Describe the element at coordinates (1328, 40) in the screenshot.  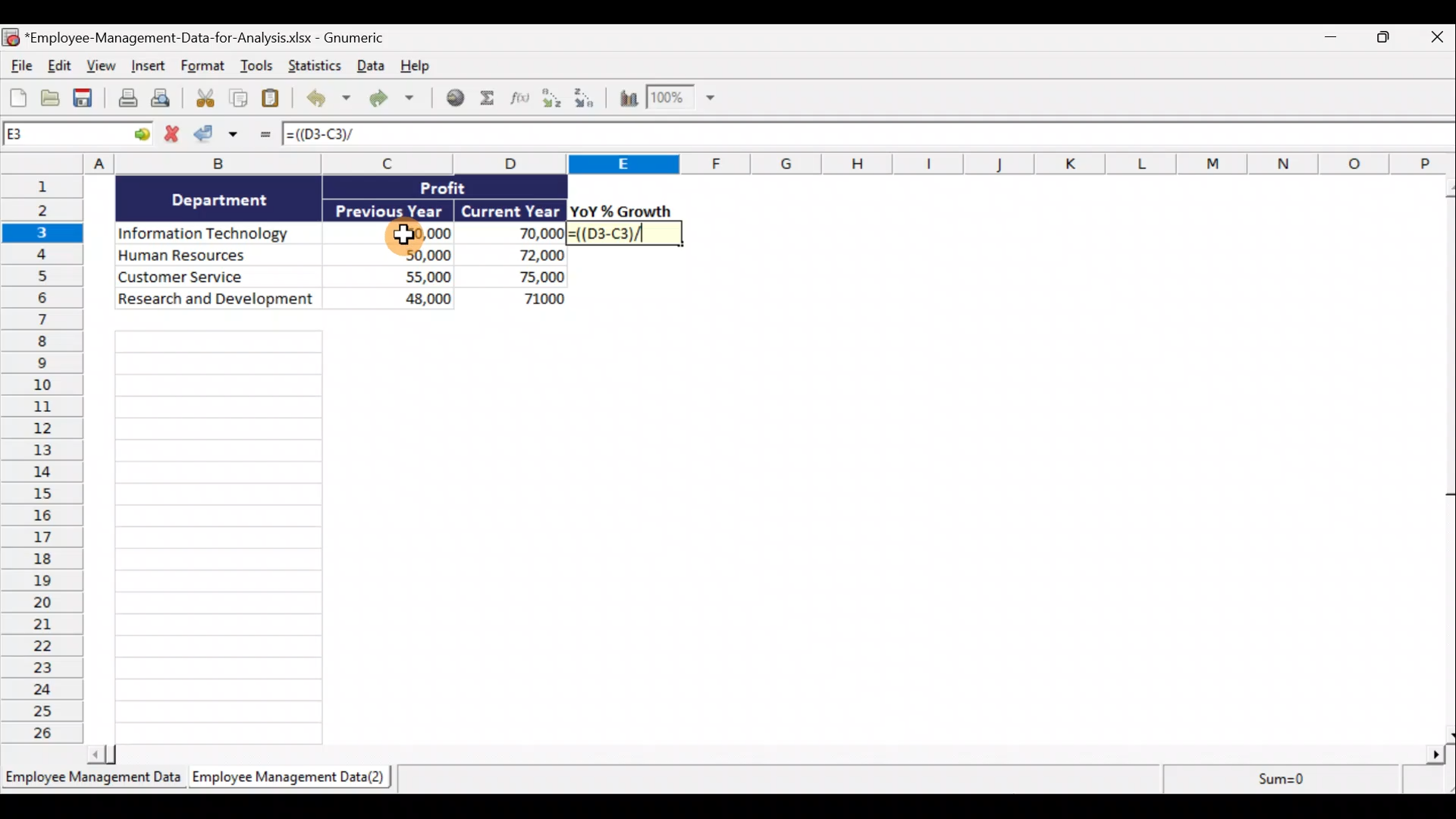
I see `Minimise` at that location.